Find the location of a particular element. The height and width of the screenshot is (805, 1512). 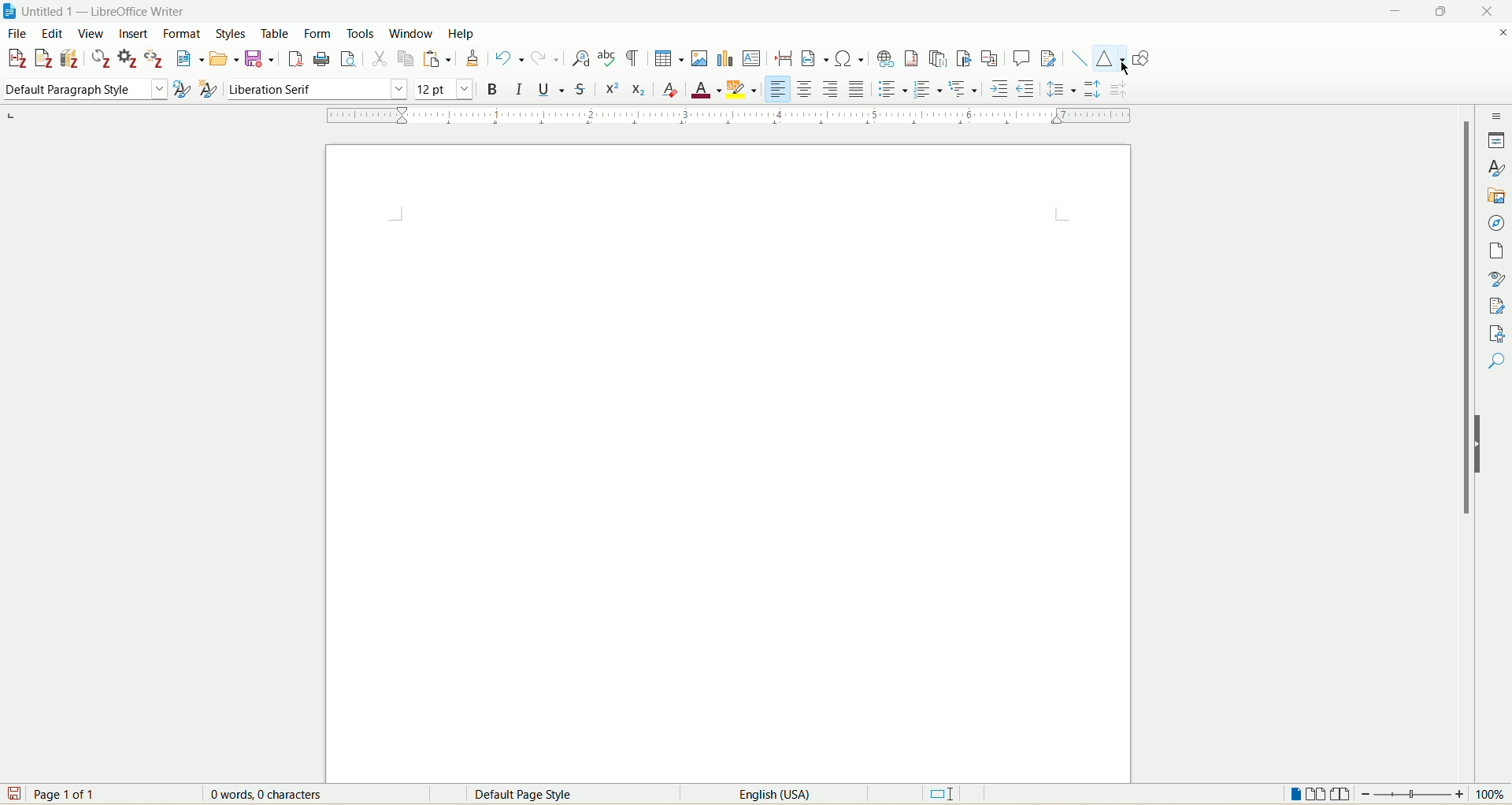

file is located at coordinates (16, 35).